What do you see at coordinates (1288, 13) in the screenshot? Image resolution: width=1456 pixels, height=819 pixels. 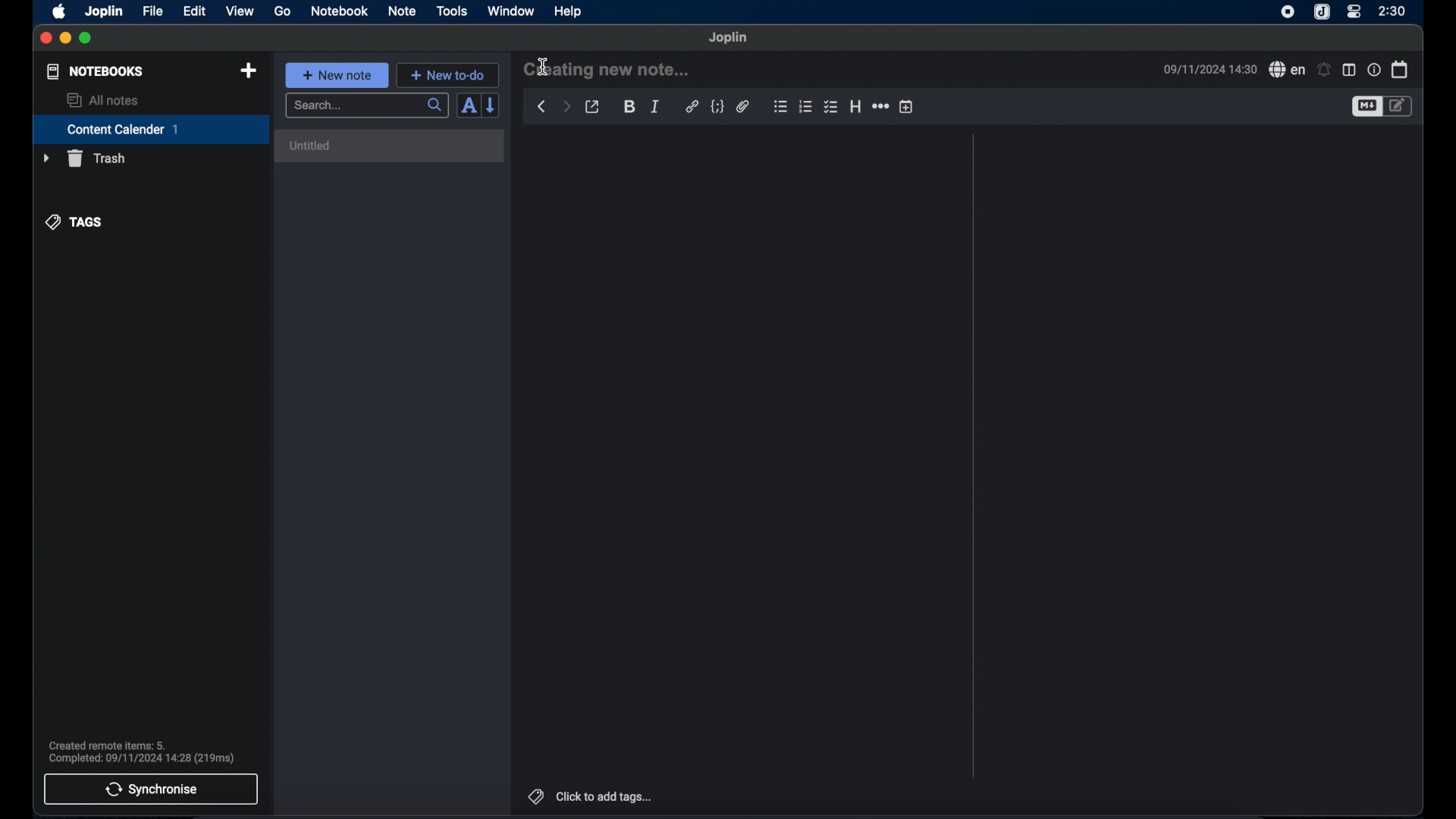 I see `screen recorder icon` at bounding box center [1288, 13].